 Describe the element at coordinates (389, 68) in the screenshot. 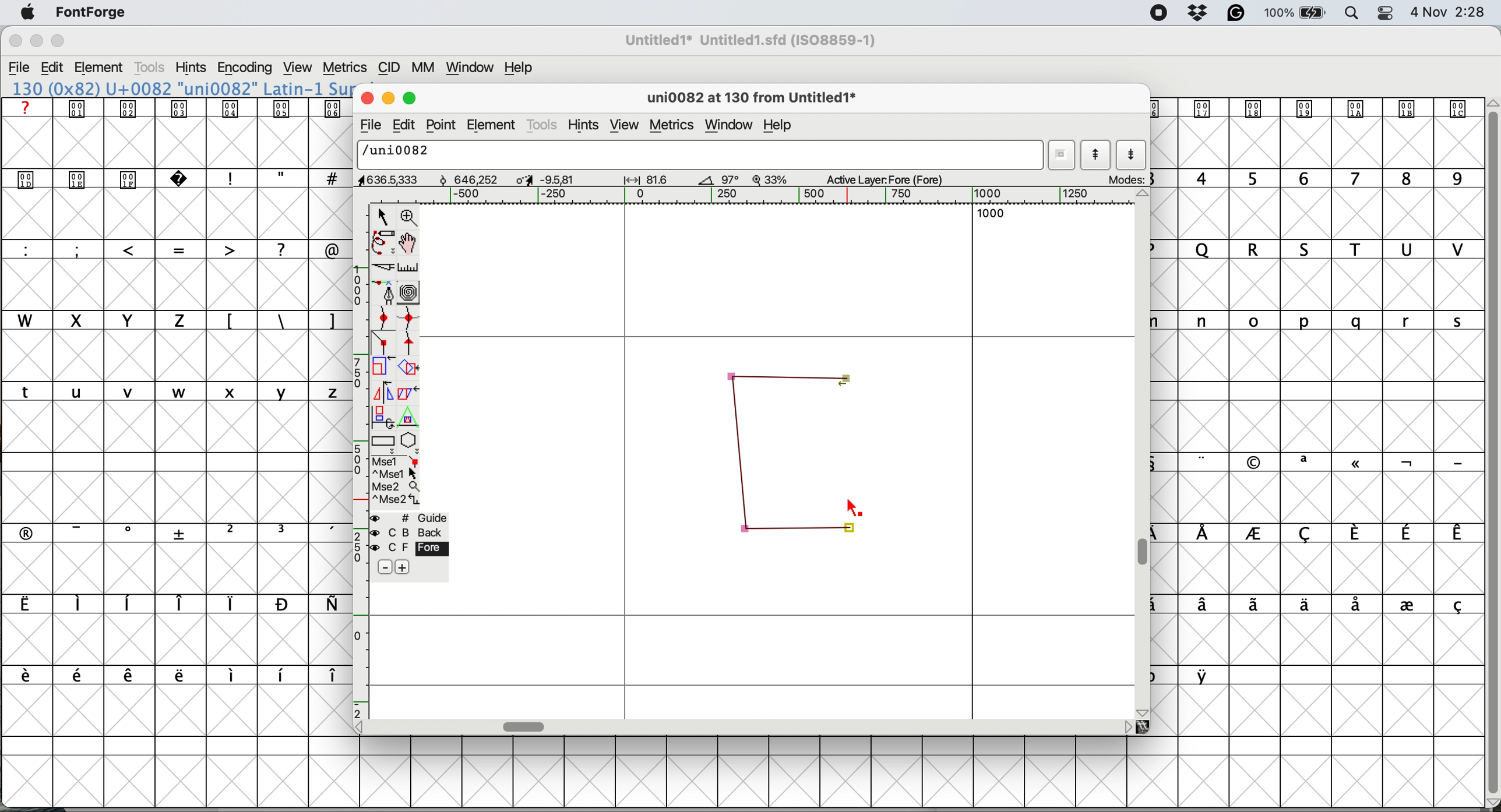

I see `cid` at that location.